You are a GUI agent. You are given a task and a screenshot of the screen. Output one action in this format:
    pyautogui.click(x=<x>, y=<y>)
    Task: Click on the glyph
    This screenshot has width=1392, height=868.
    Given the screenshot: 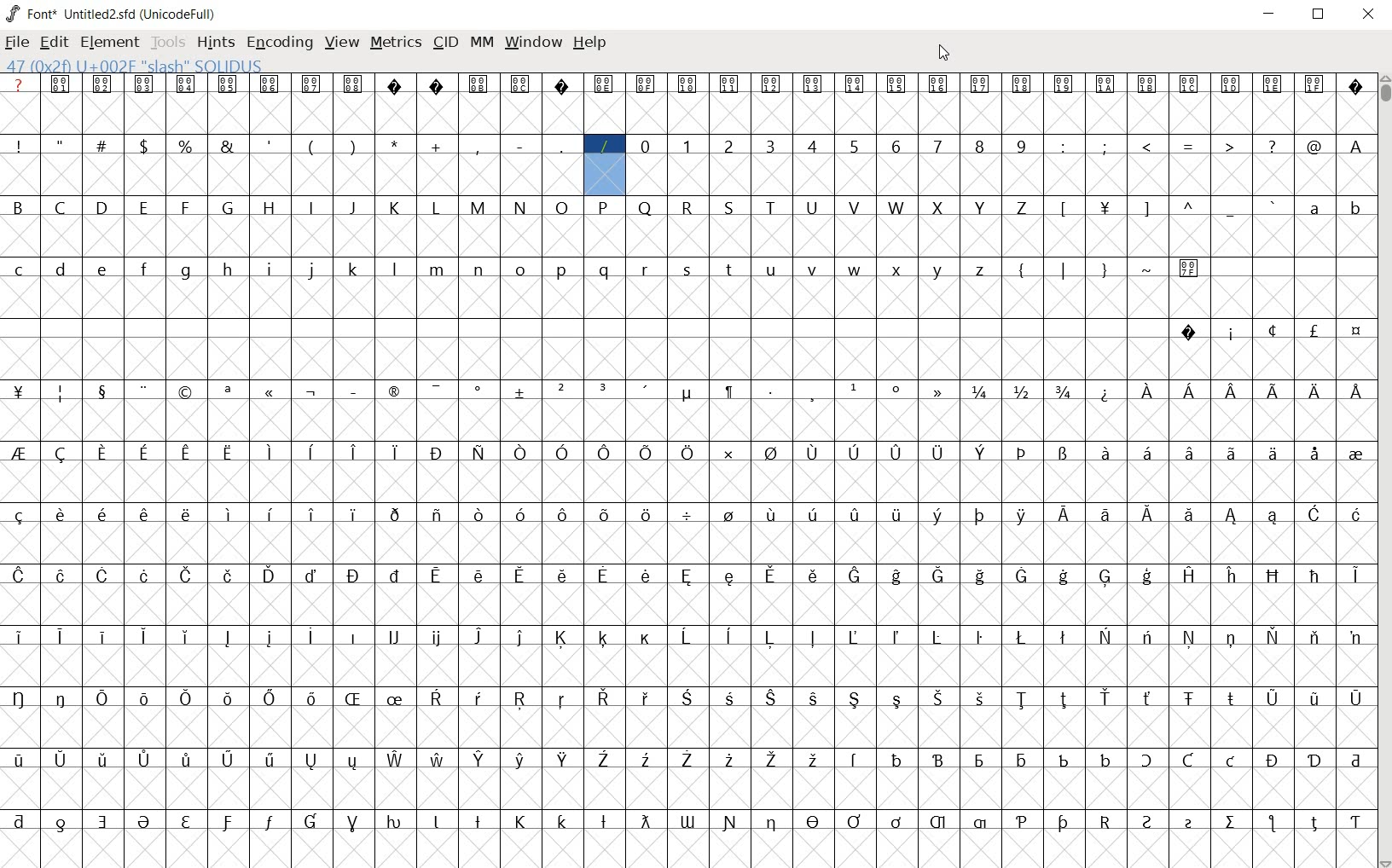 What is the action you would take?
    pyautogui.click(x=355, y=269)
    